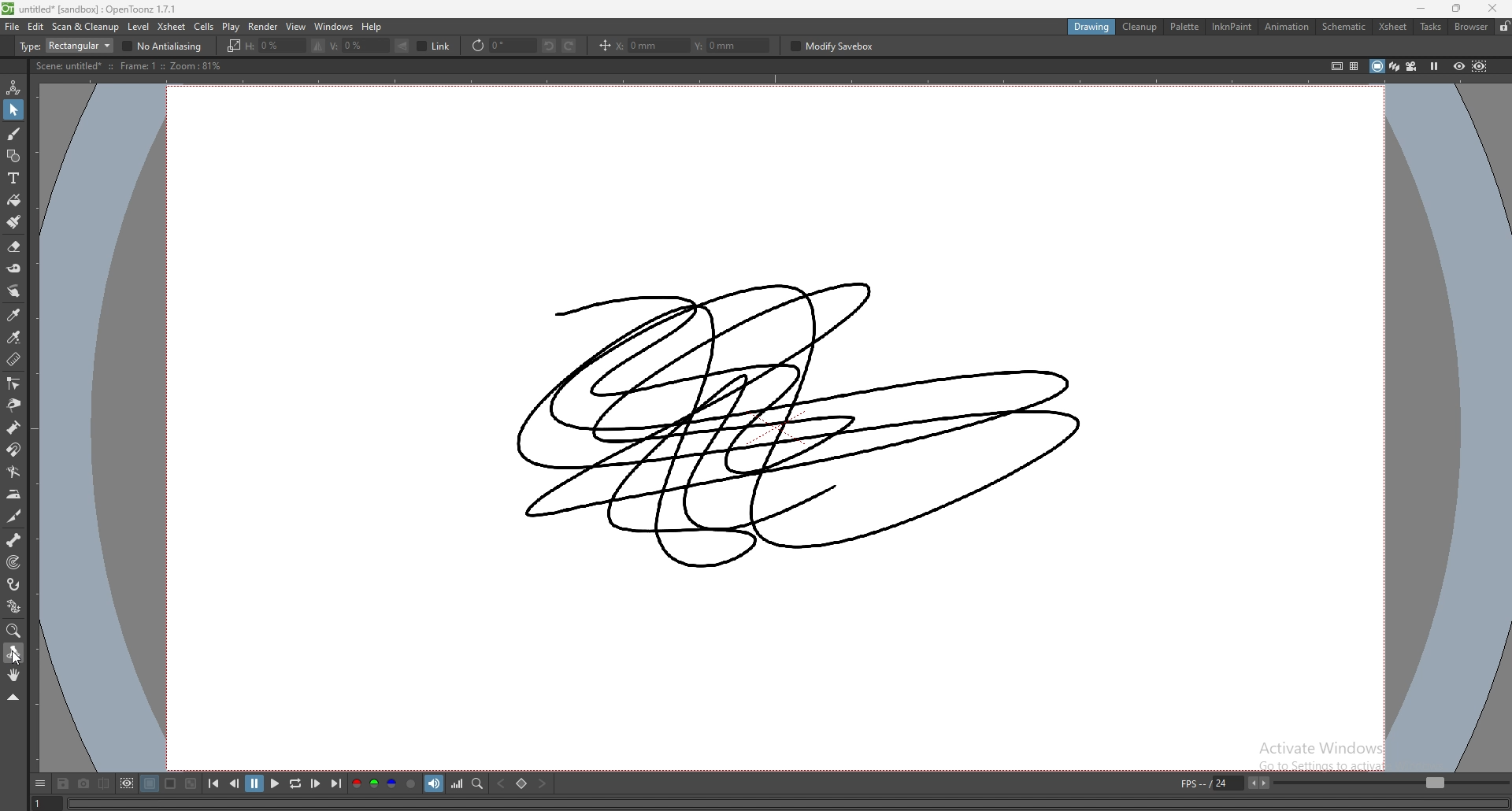 The width and height of the screenshot is (1512, 811). Describe the element at coordinates (1395, 27) in the screenshot. I see `xsheet` at that location.